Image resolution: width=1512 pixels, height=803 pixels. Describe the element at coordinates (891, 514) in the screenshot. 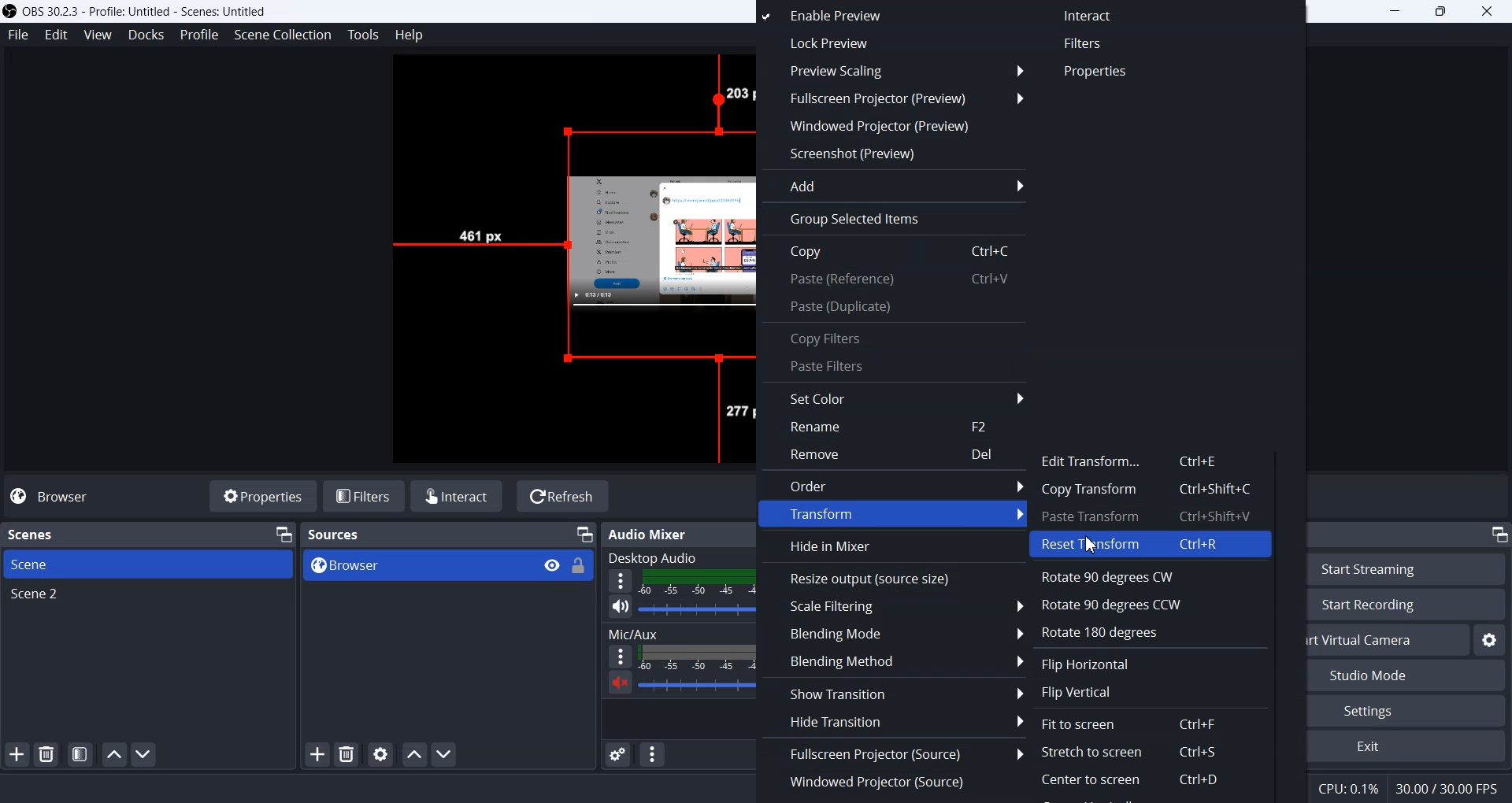

I see `Transform` at that location.